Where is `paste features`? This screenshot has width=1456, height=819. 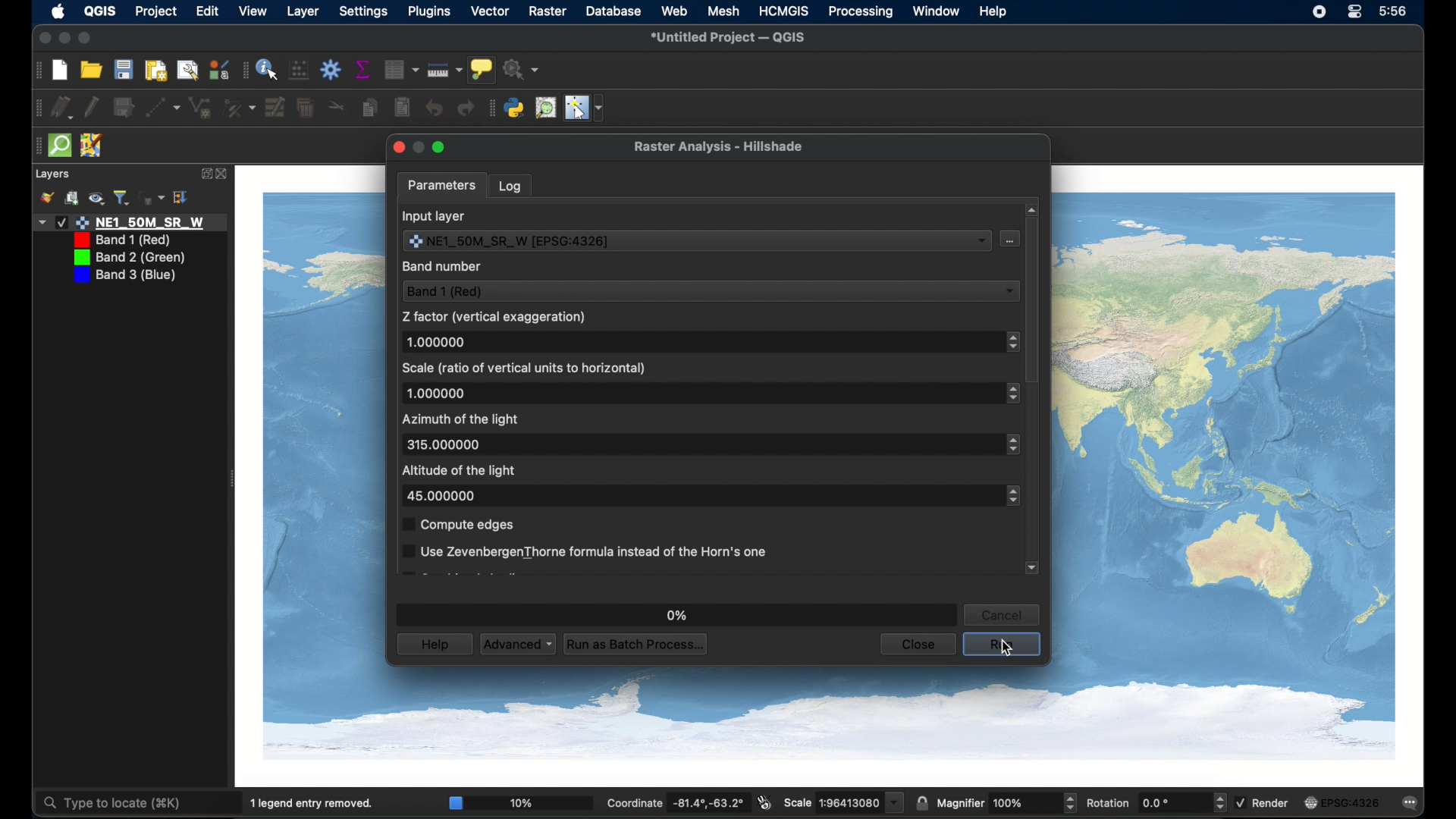 paste features is located at coordinates (401, 106).